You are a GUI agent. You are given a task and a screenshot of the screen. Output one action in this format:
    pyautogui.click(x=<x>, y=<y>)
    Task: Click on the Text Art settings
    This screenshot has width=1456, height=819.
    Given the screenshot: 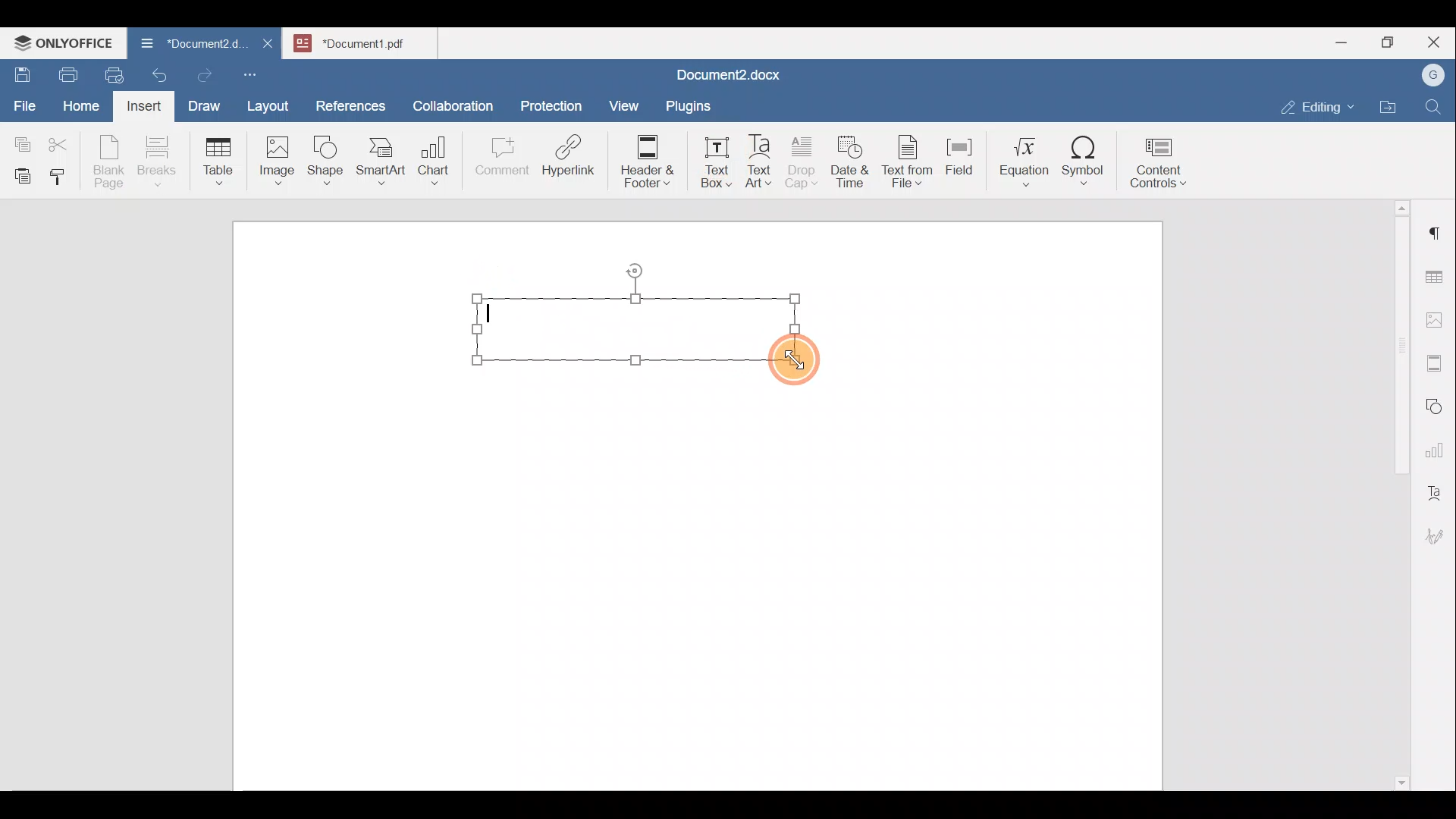 What is the action you would take?
    pyautogui.click(x=1436, y=487)
    